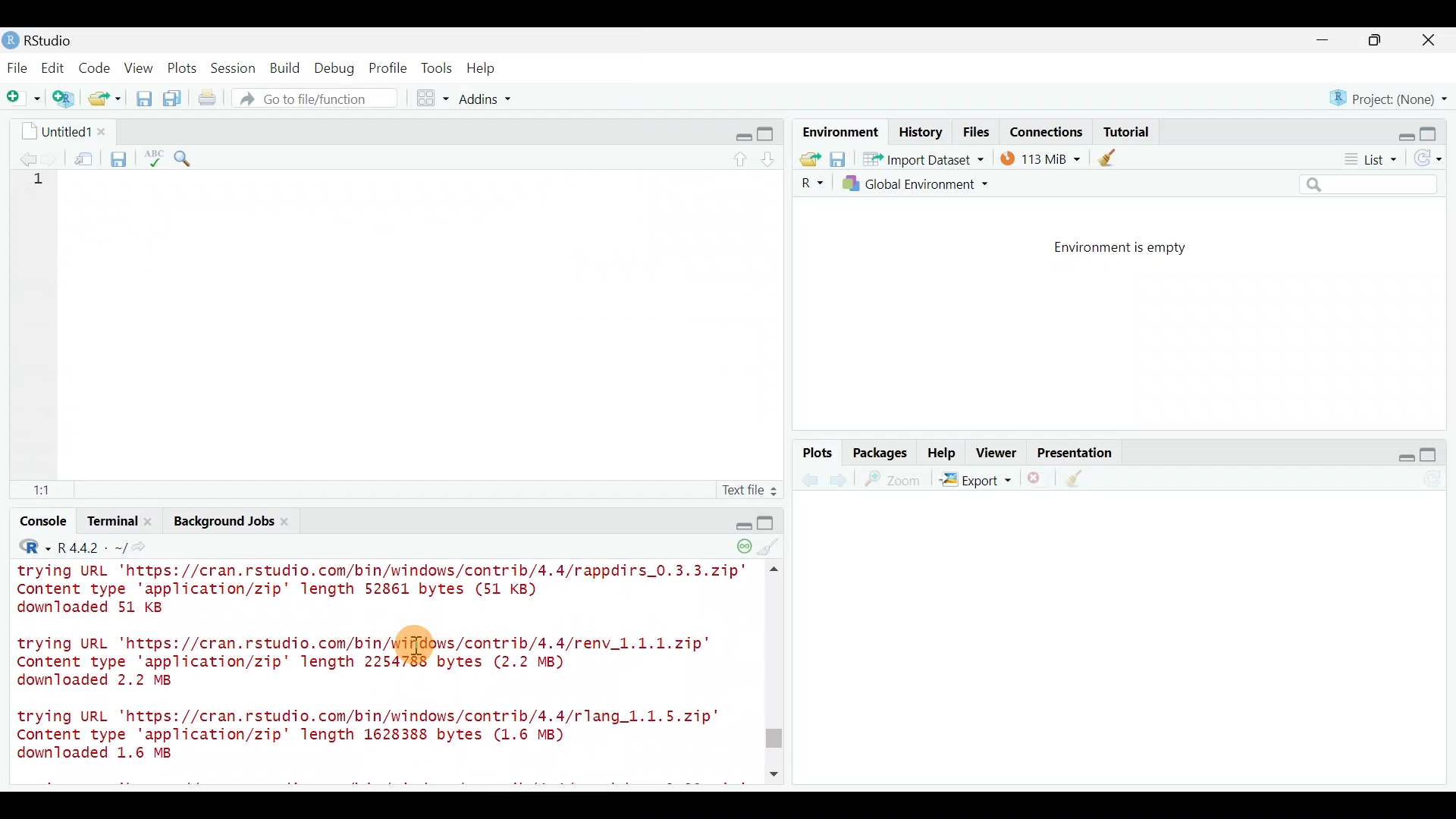  I want to click on * Import Dataset *, so click(919, 159).